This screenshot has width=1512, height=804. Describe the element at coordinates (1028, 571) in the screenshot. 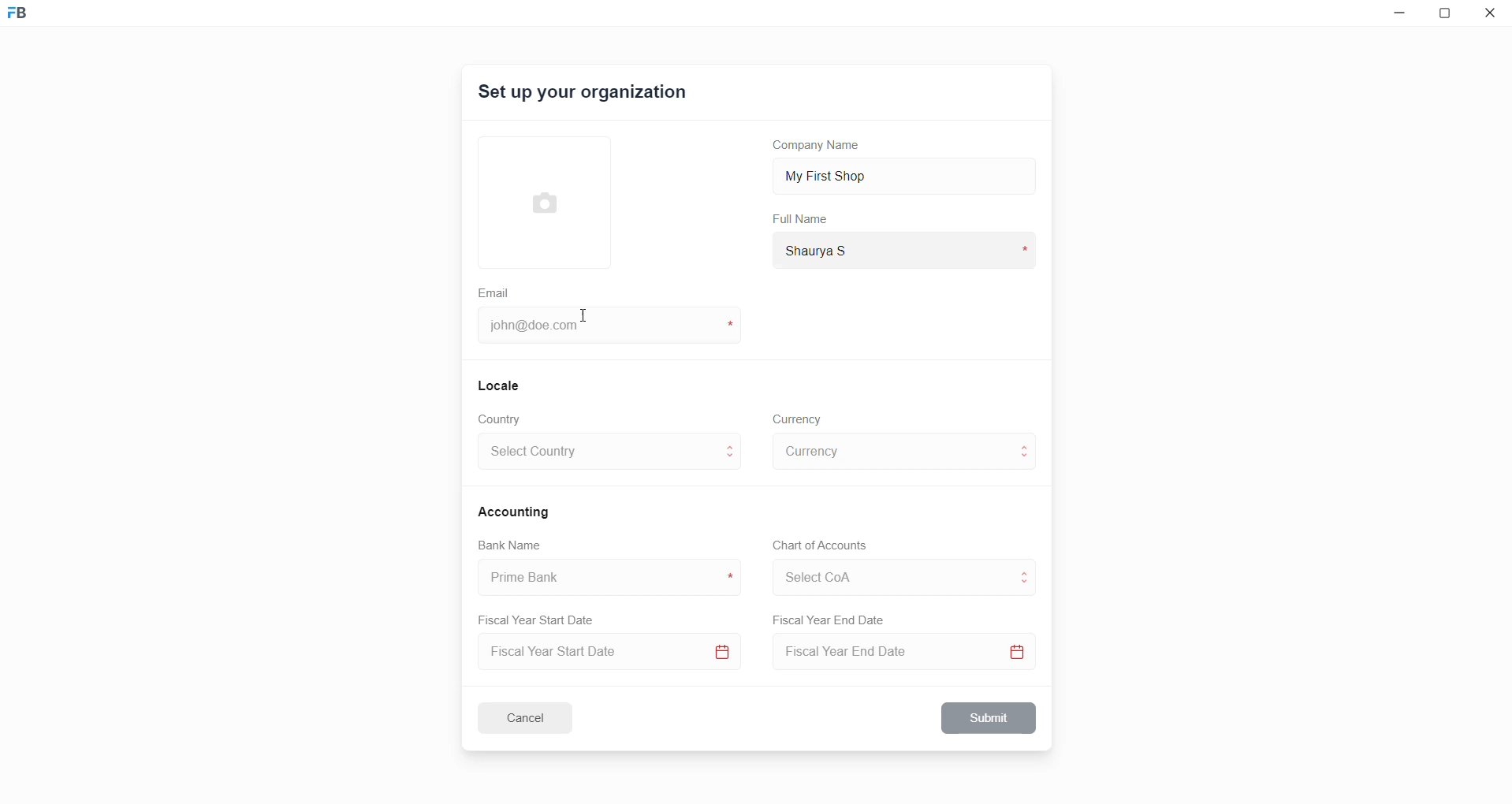

I see `move to above CoA` at that location.